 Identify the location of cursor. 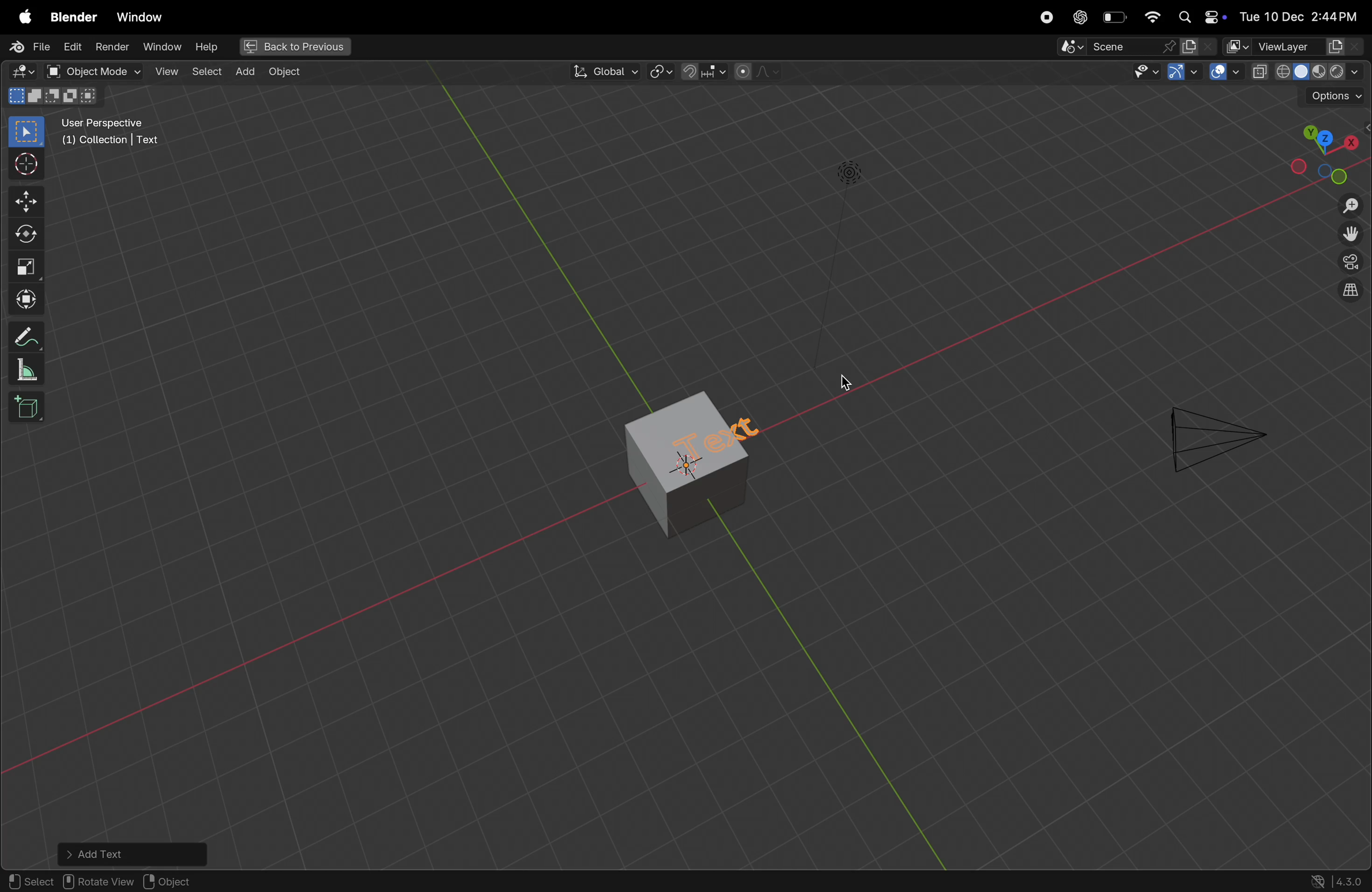
(845, 381).